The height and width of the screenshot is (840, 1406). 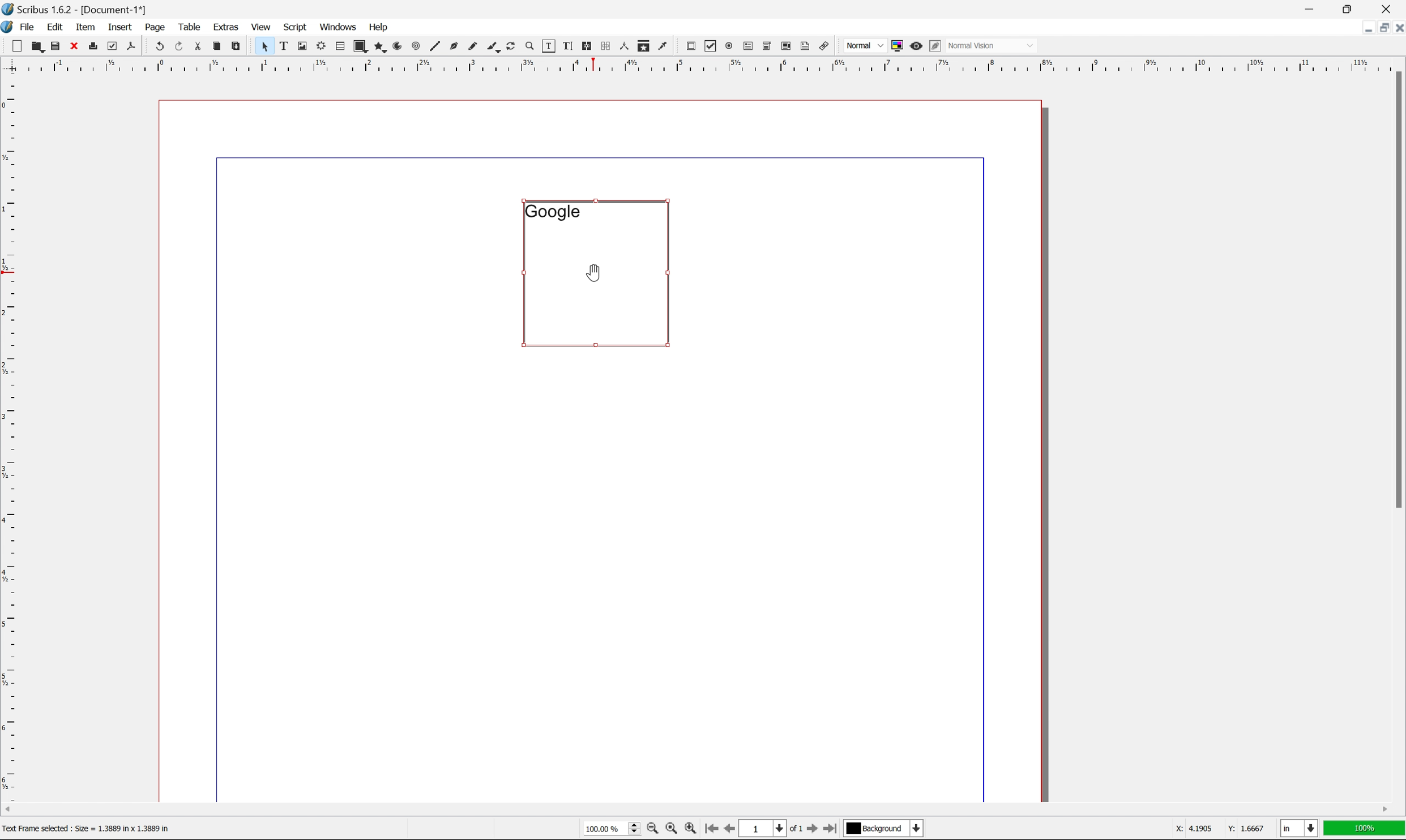 I want to click on go to next page, so click(x=809, y=830).